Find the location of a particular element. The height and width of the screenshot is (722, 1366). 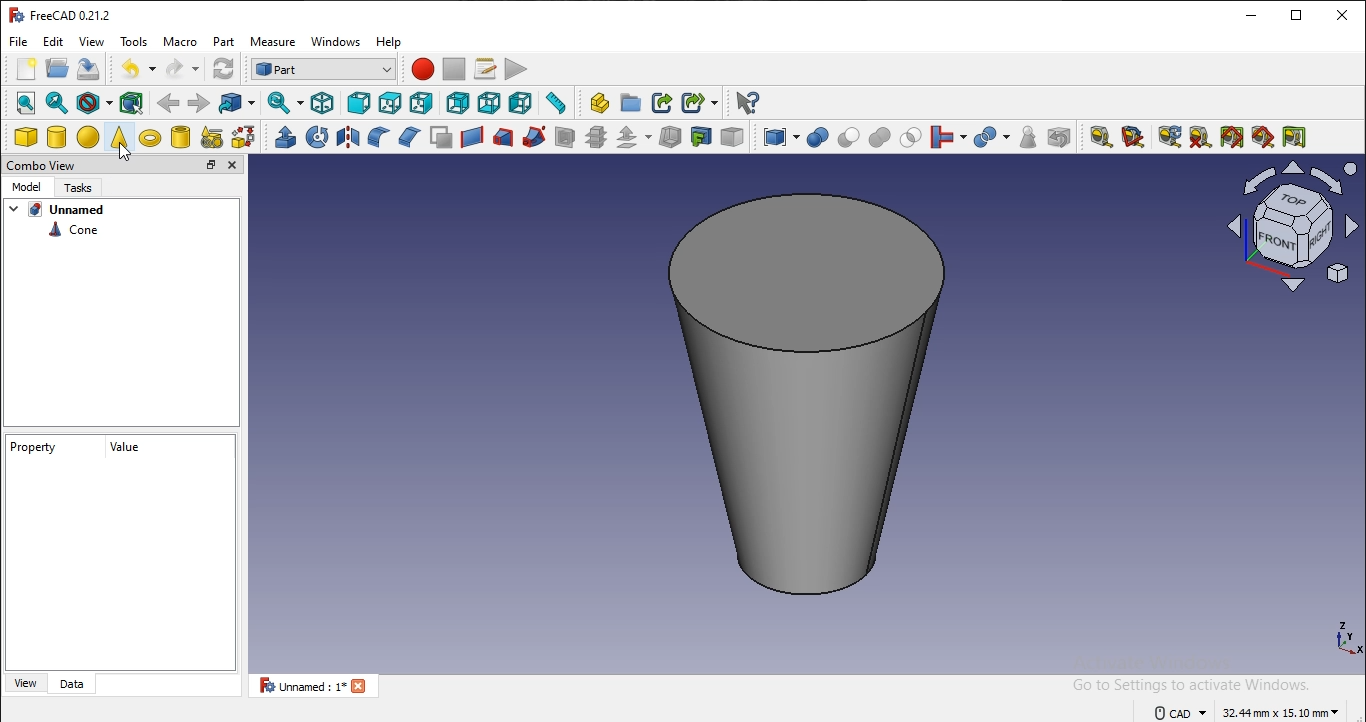

chamfer is located at coordinates (406, 137).